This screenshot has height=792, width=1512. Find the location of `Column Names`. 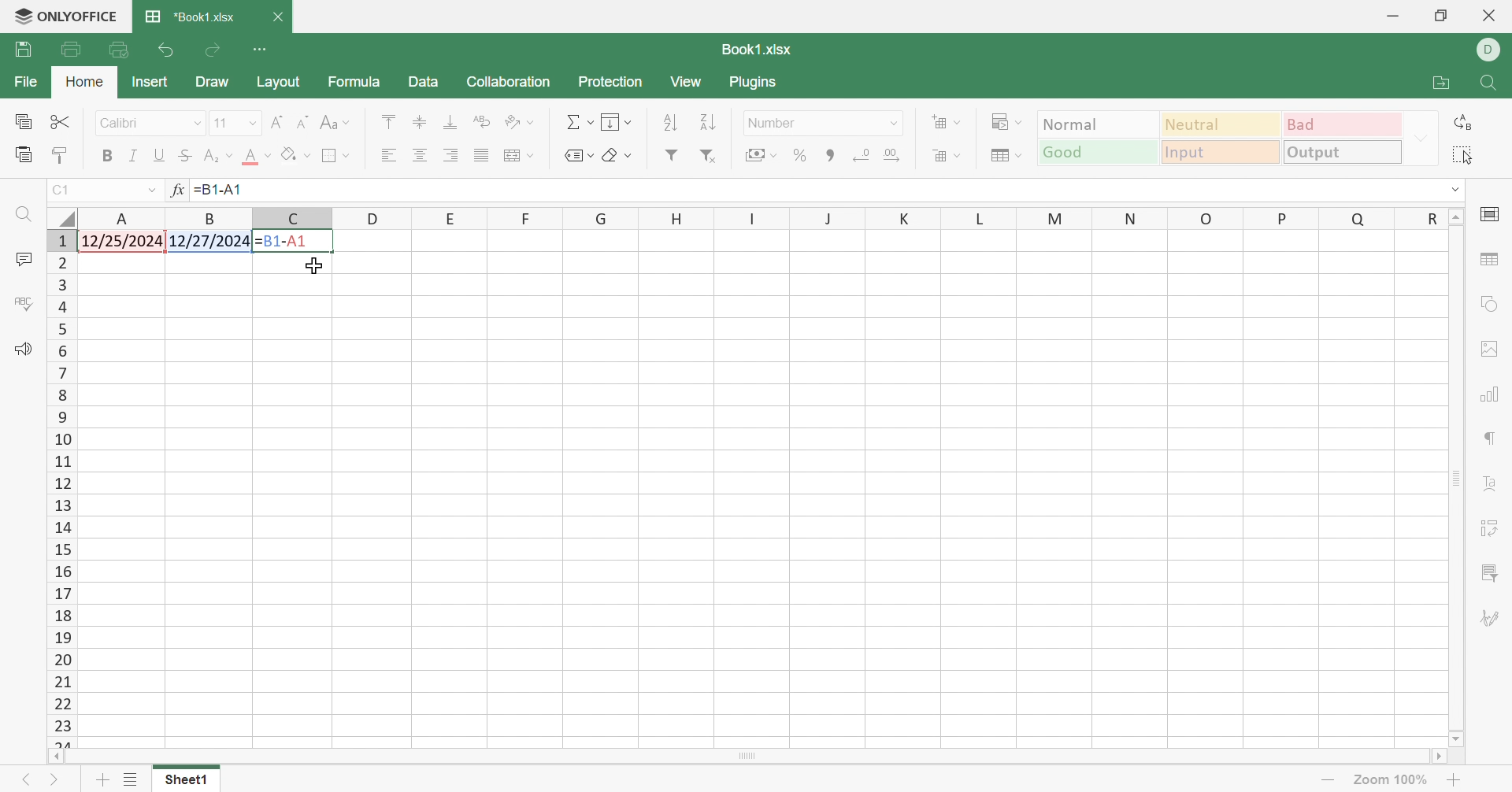

Column Names is located at coordinates (755, 217).